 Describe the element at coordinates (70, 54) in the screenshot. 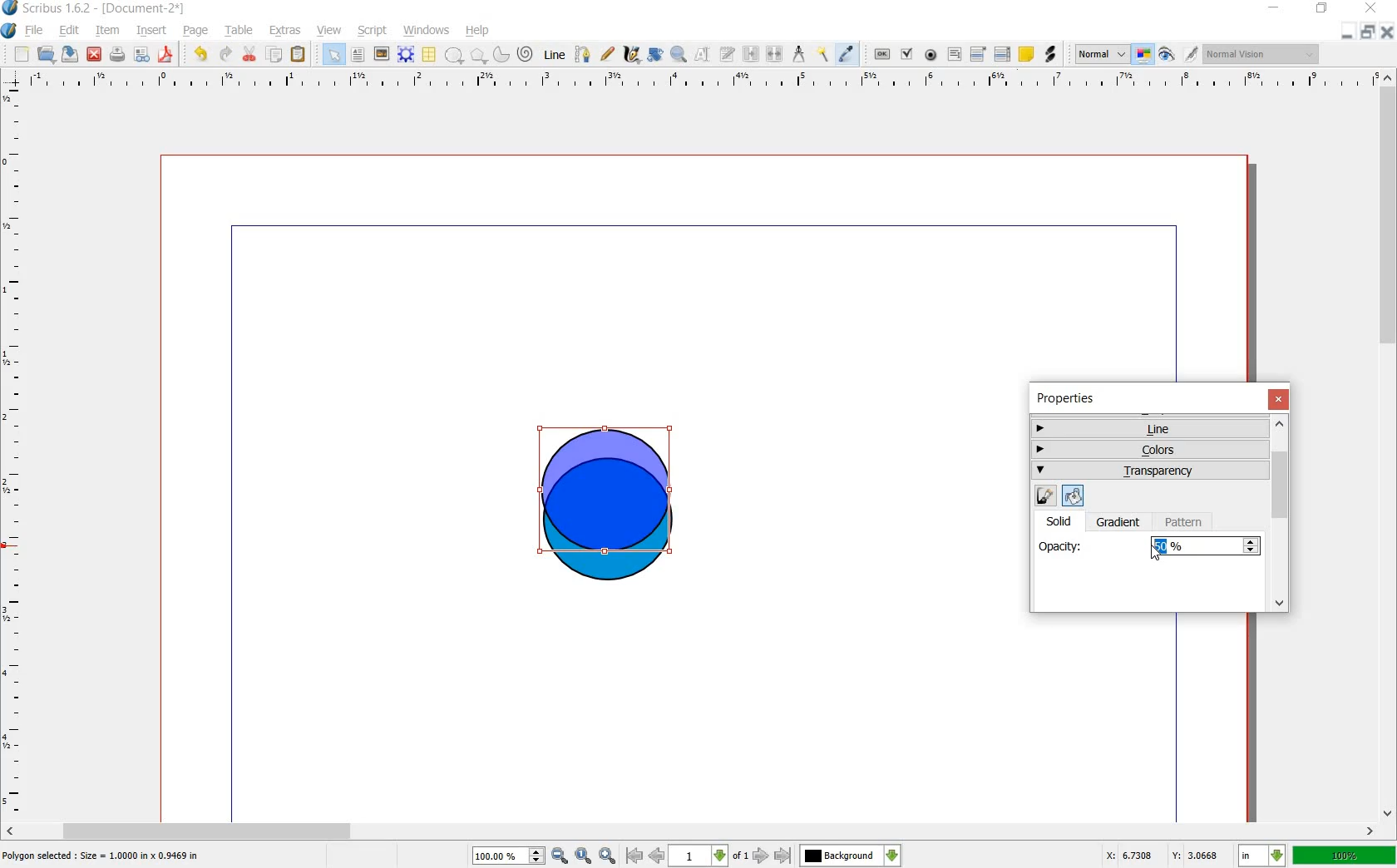

I see `save` at that location.